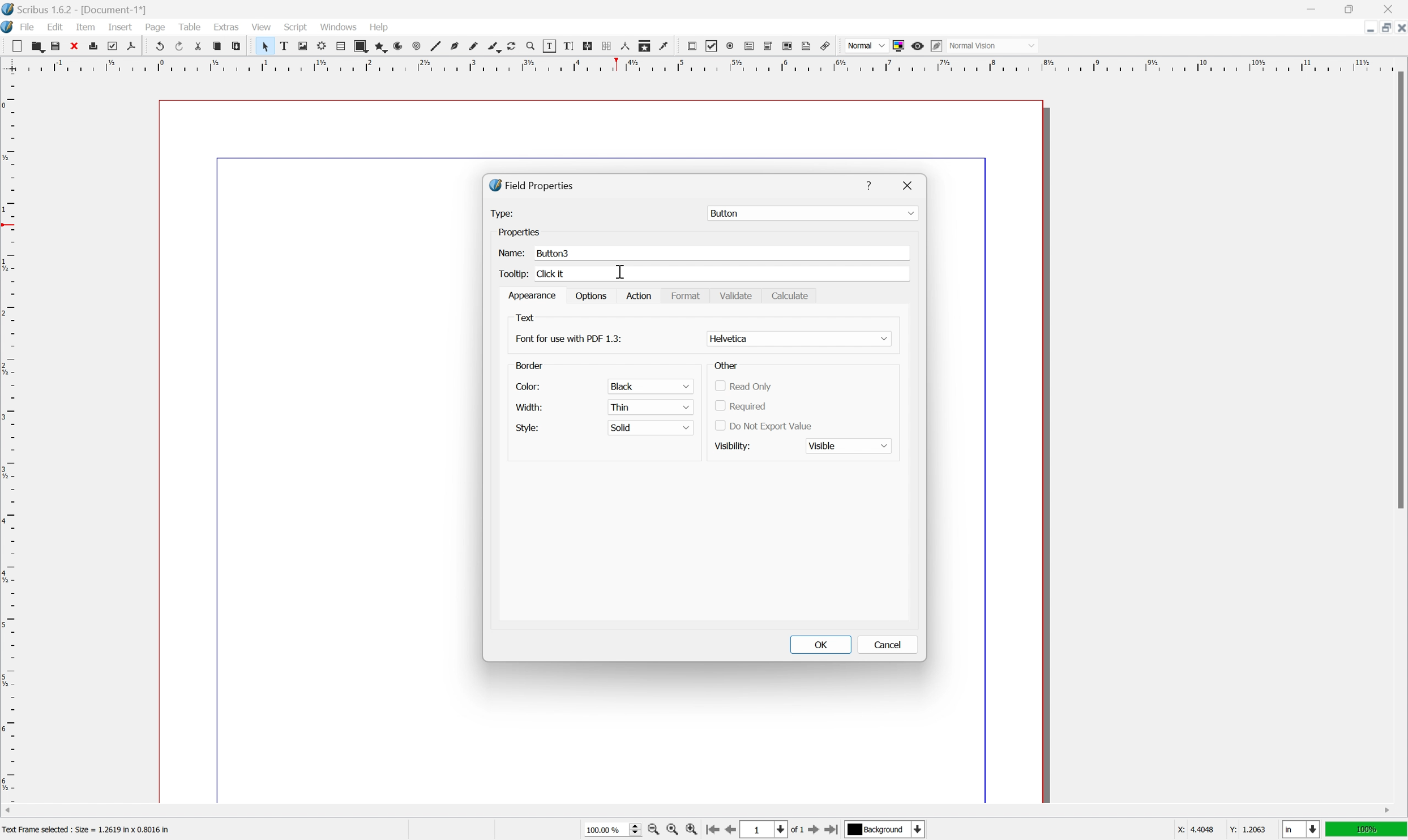  I want to click on eye dropper, so click(665, 46).